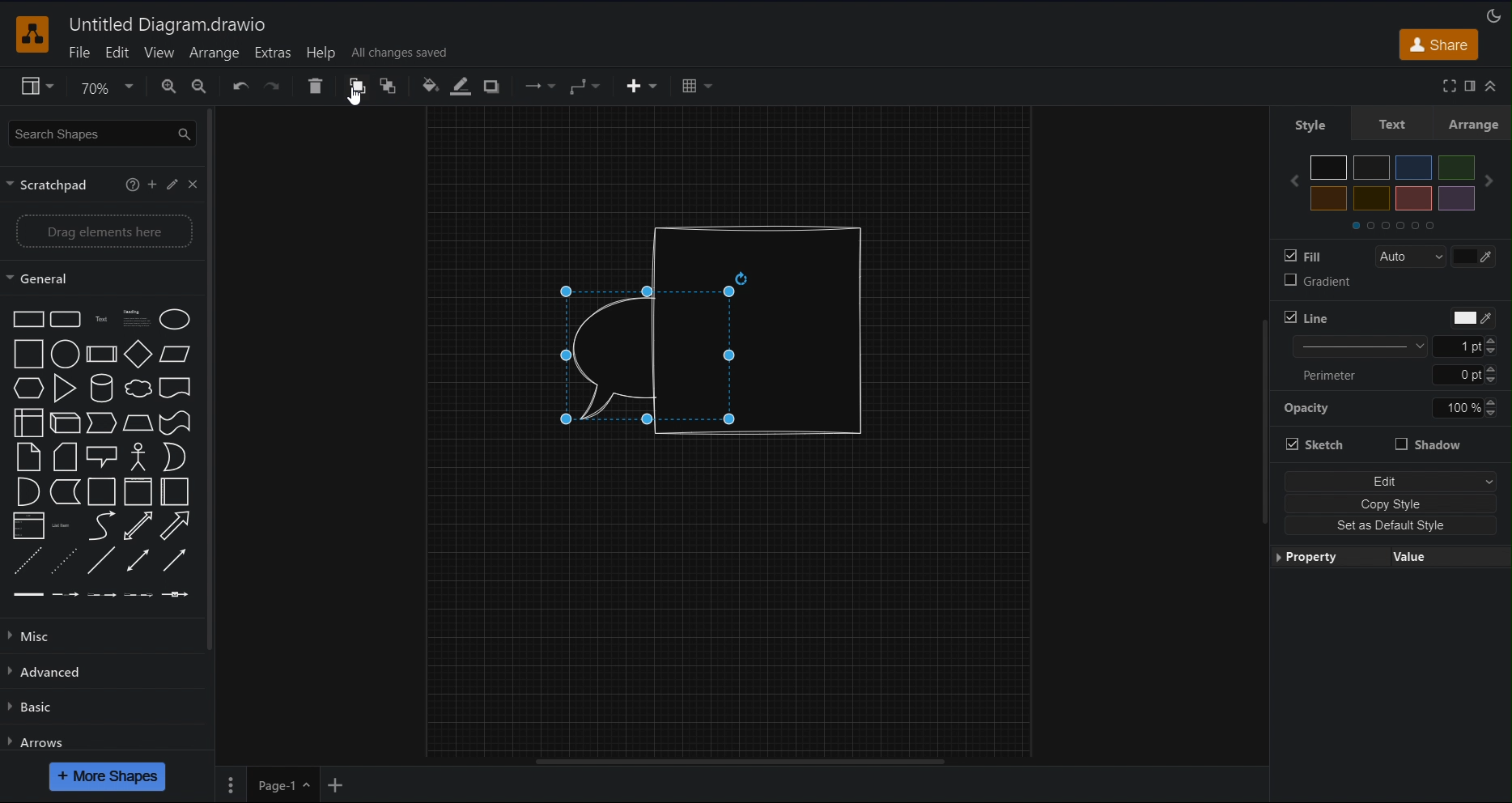  What do you see at coordinates (1318, 280) in the screenshot?
I see `Gradient` at bounding box center [1318, 280].